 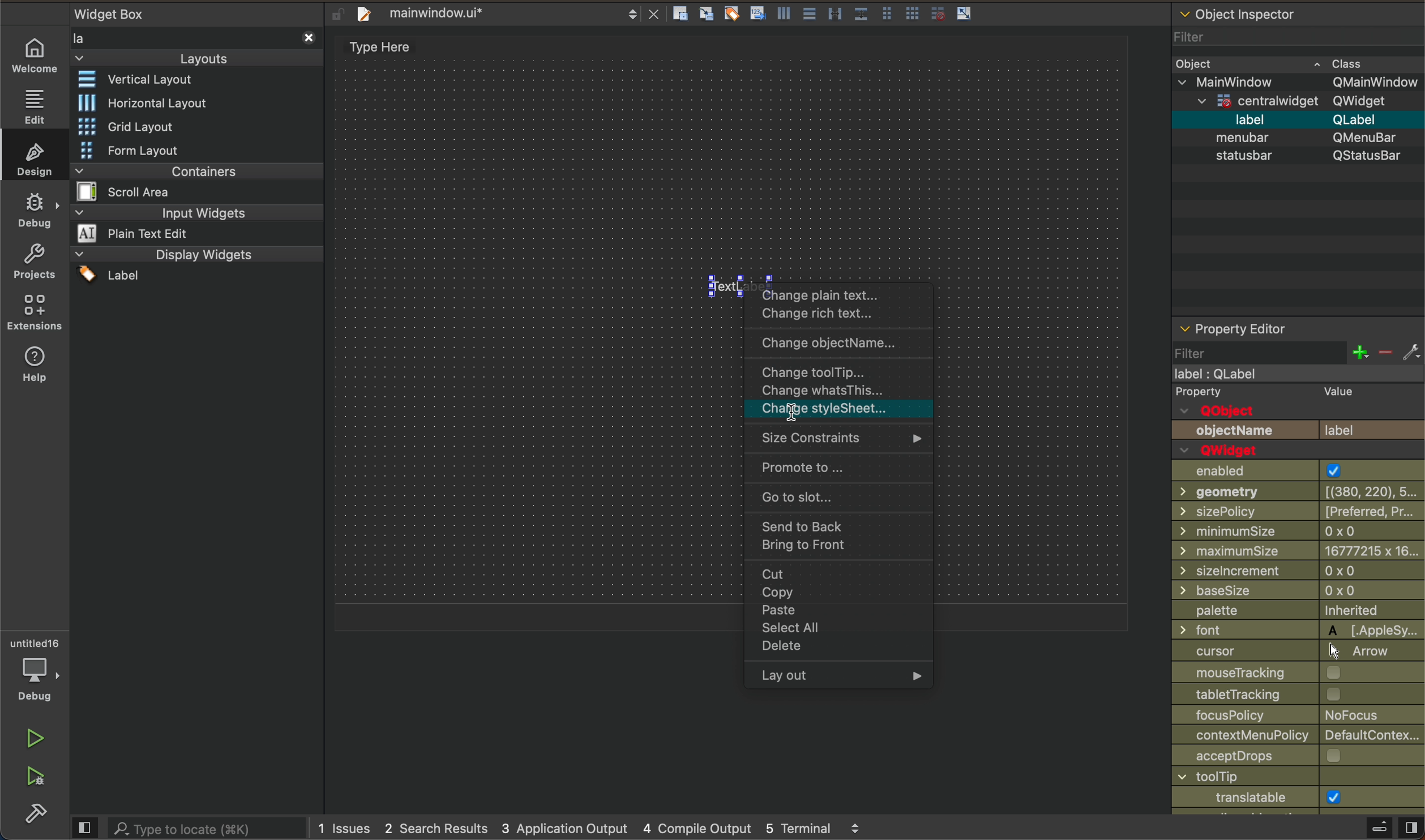 What do you see at coordinates (841, 496) in the screenshot?
I see `go to slot` at bounding box center [841, 496].